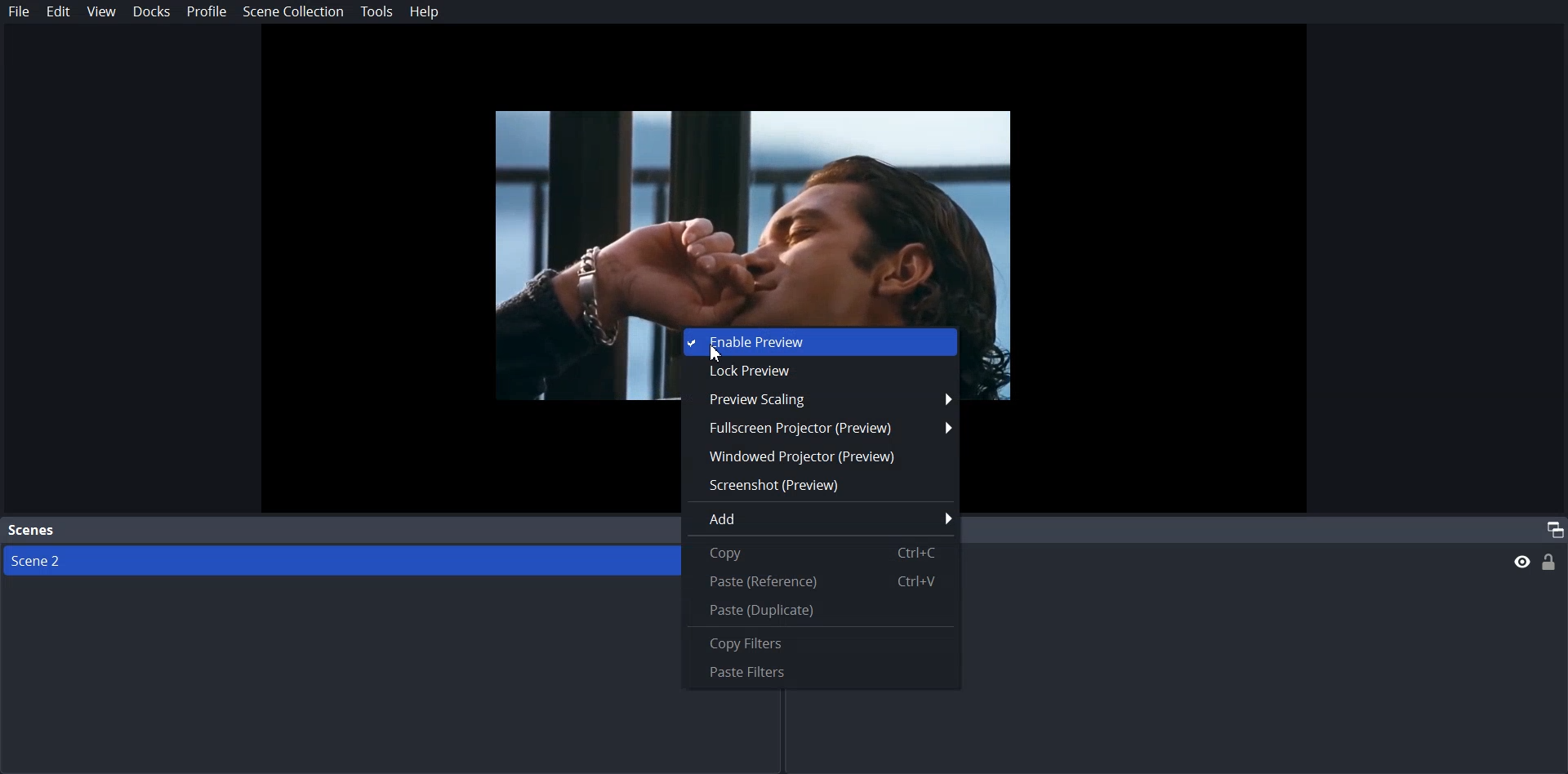 The image size is (1568, 774). Describe the element at coordinates (821, 342) in the screenshot. I see `Enable Preview` at that location.